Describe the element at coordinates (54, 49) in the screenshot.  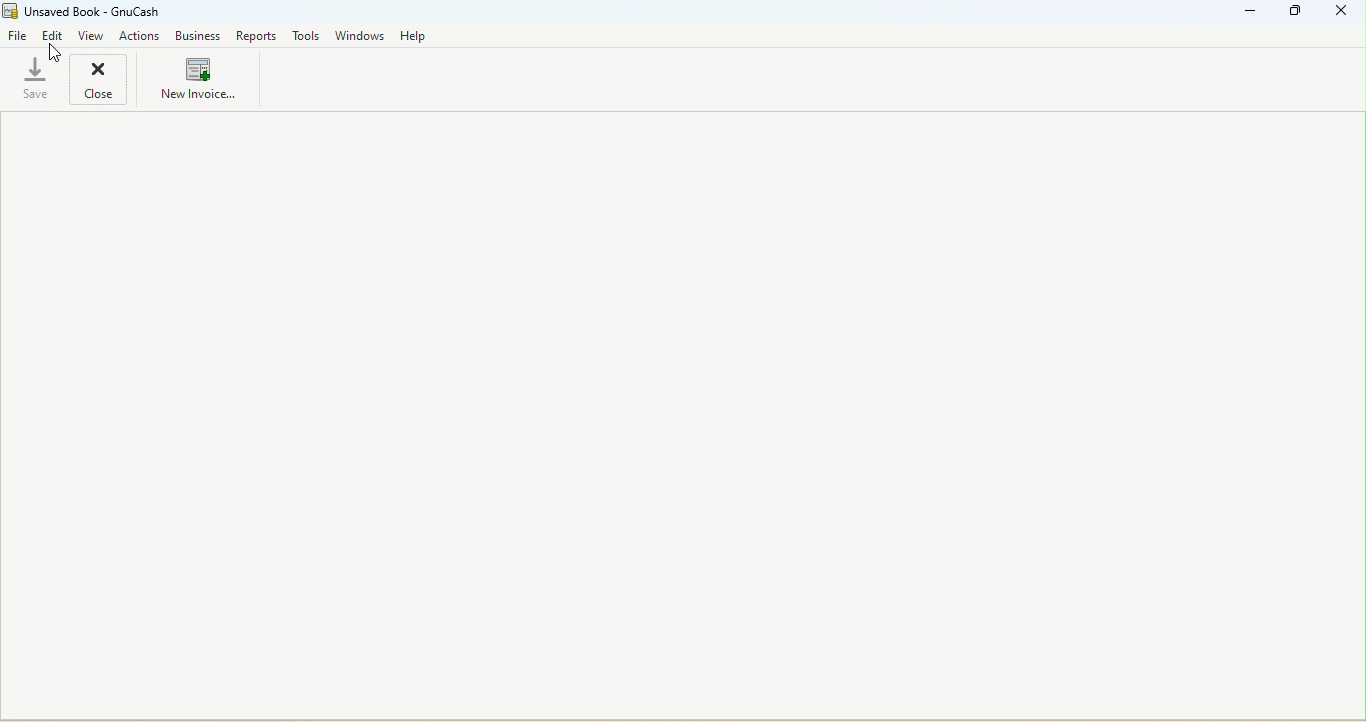
I see `cursor` at that location.